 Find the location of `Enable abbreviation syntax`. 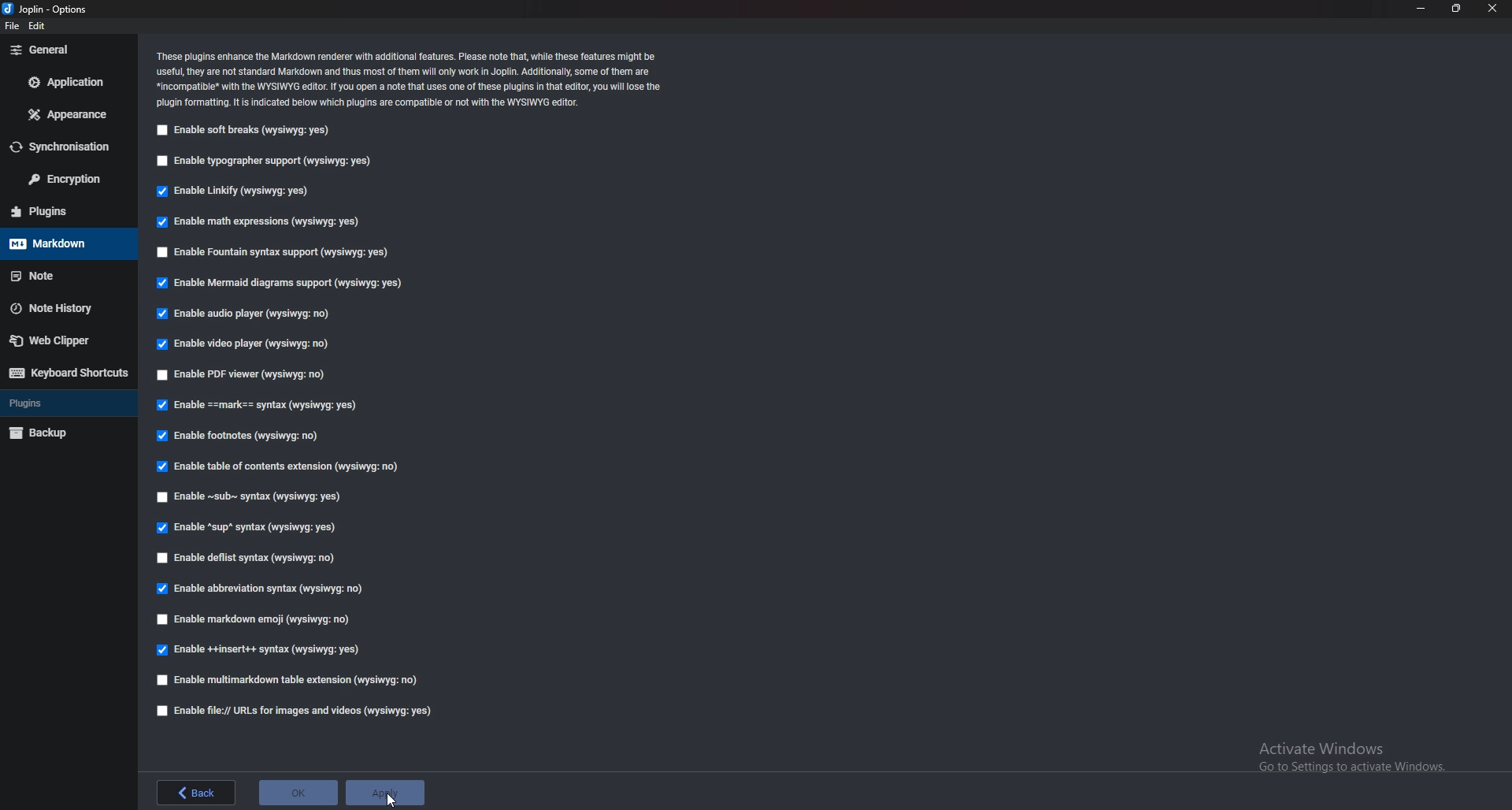

Enable abbreviation syntax is located at coordinates (265, 587).